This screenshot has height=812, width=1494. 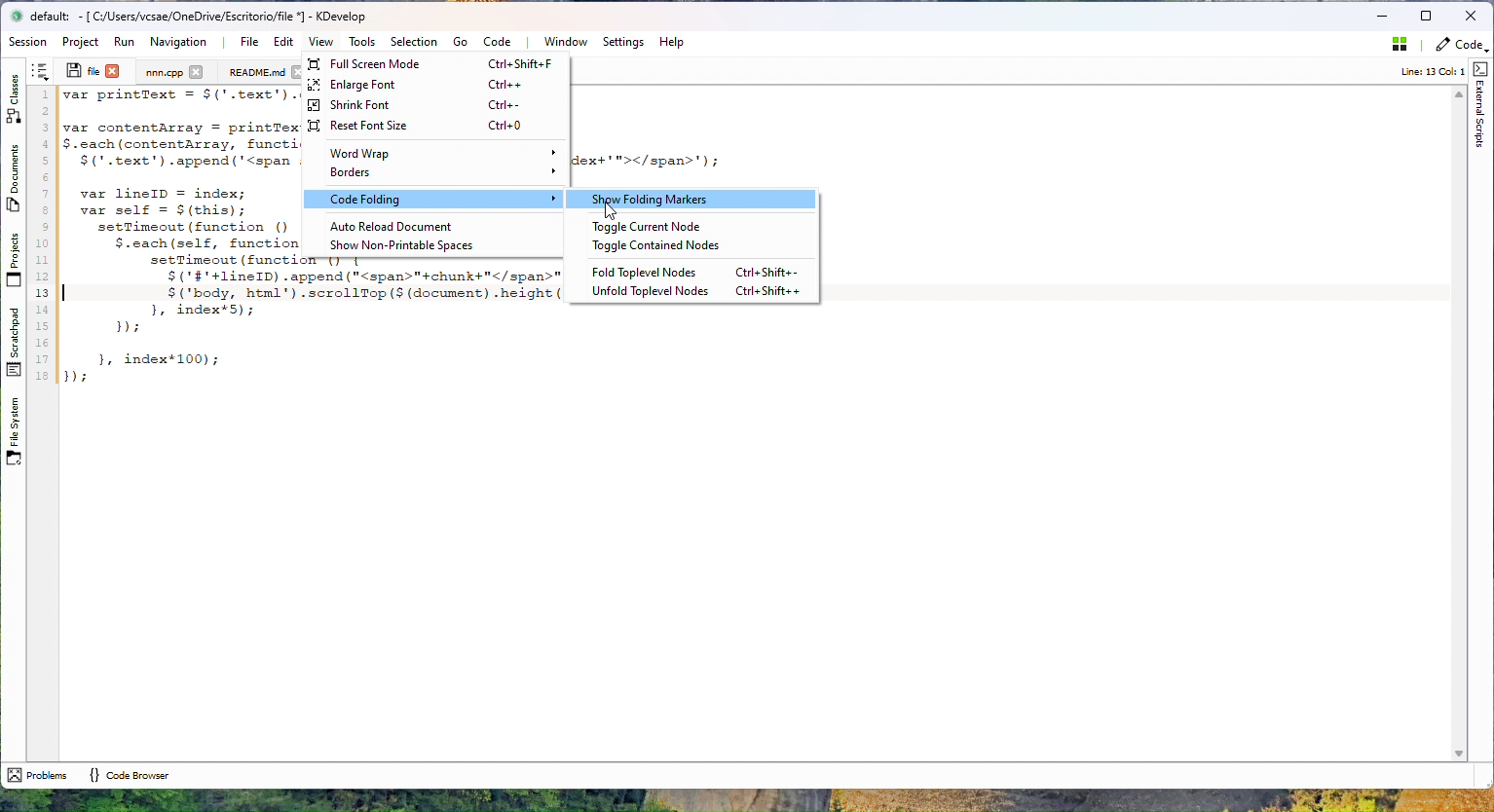 What do you see at coordinates (209, 17) in the screenshot?
I see `application name` at bounding box center [209, 17].